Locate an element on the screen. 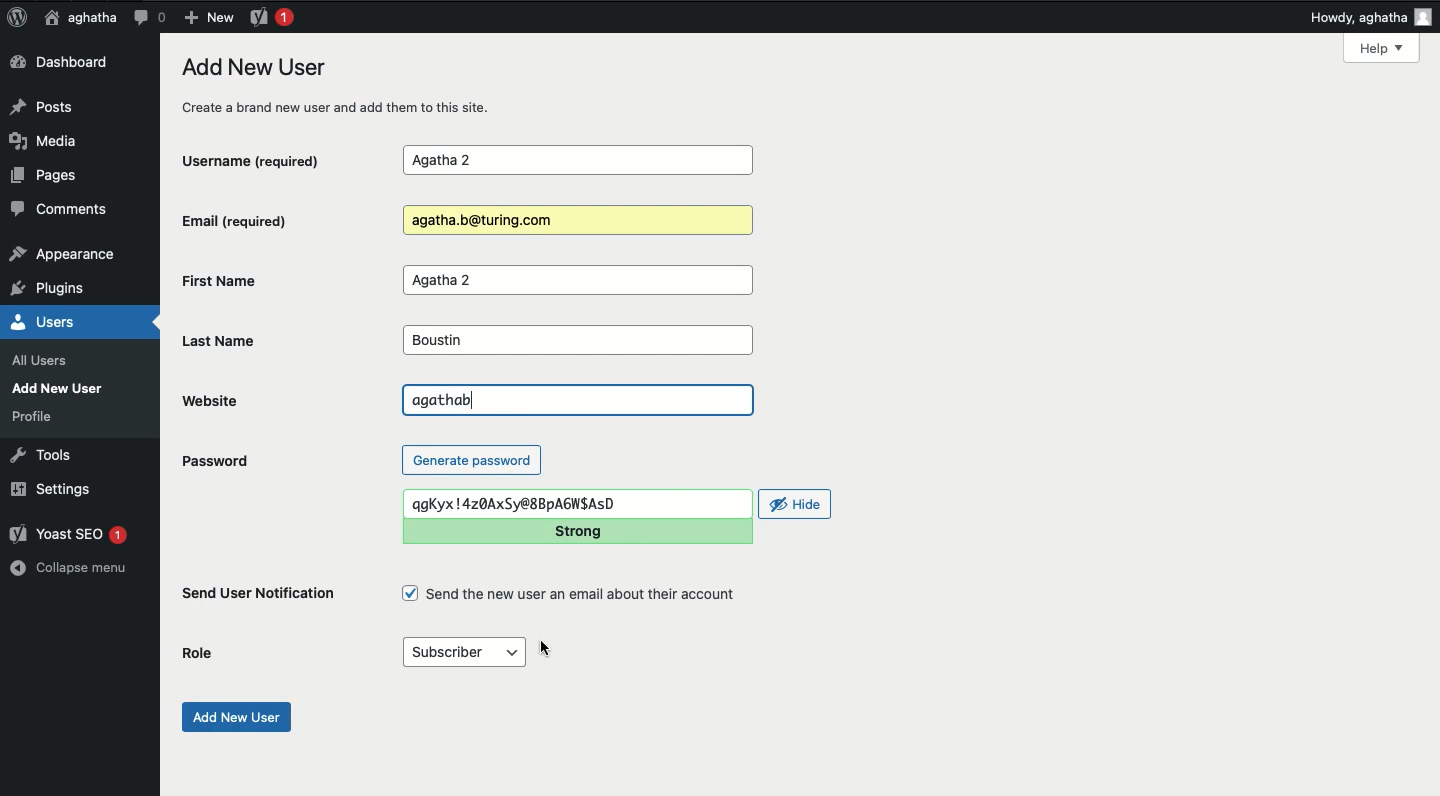 The image size is (1440, 796). profile is located at coordinates (38, 416).